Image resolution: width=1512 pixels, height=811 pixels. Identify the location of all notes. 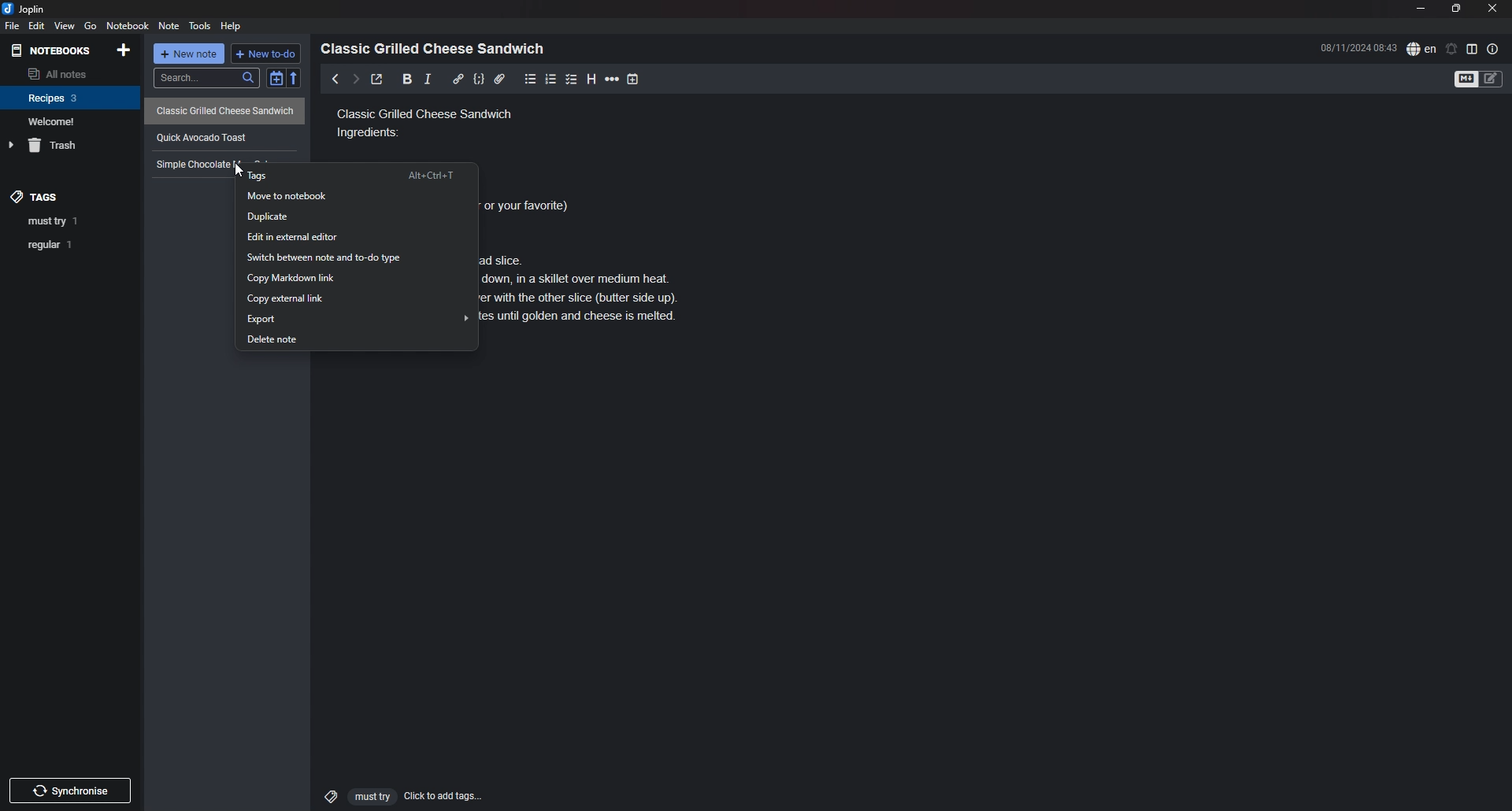
(68, 73).